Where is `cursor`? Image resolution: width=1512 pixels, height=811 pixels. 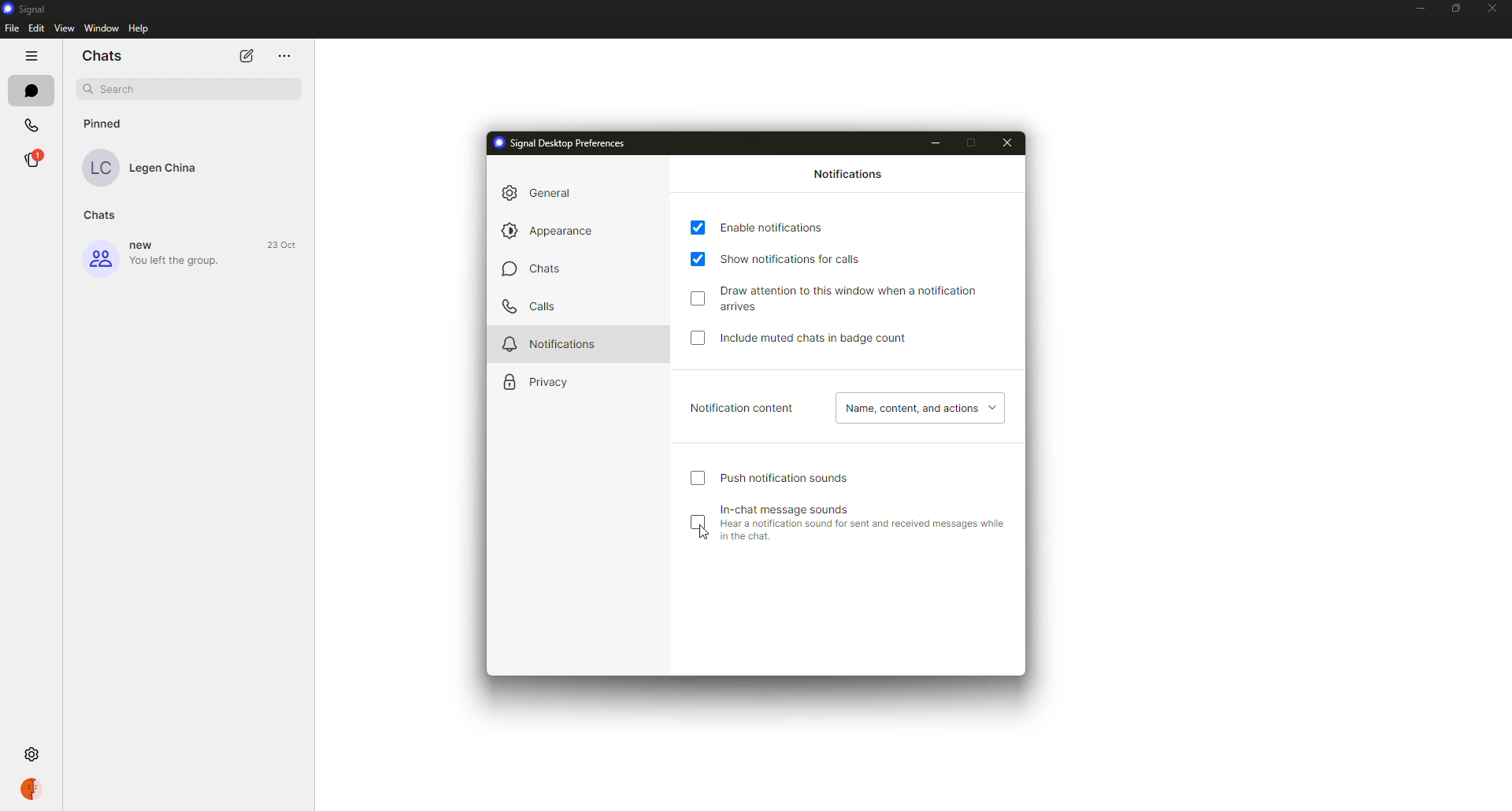
cursor is located at coordinates (705, 532).